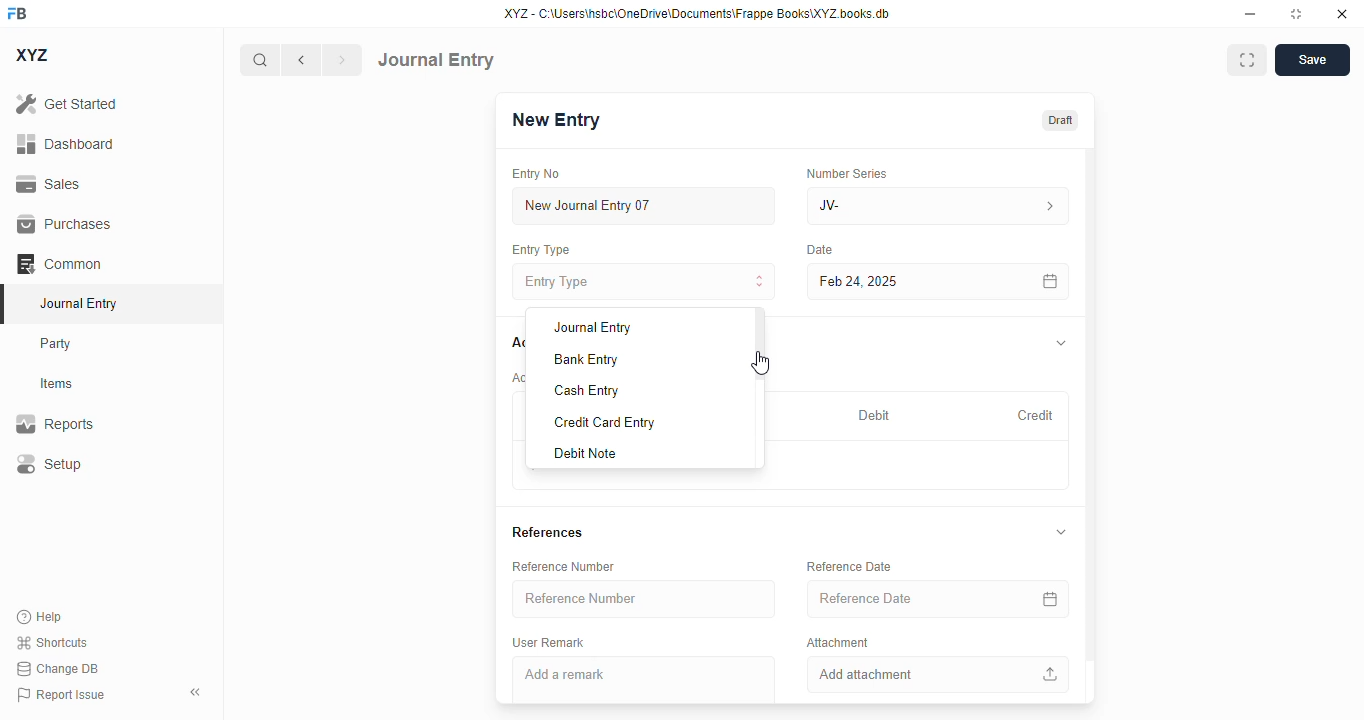 This screenshot has height=720, width=1364. Describe the element at coordinates (550, 642) in the screenshot. I see `user remark` at that location.